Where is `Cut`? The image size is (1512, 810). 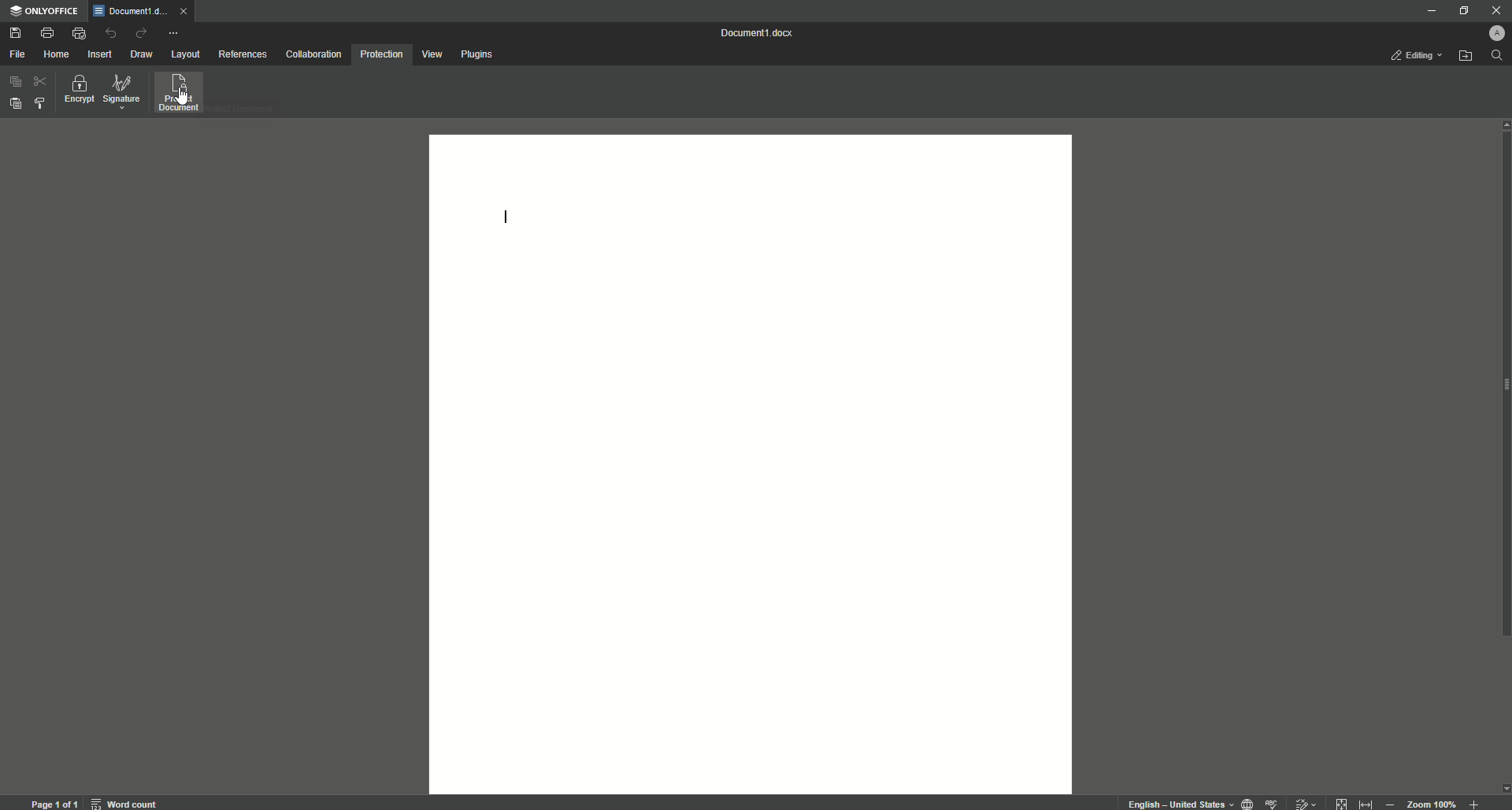 Cut is located at coordinates (39, 82).